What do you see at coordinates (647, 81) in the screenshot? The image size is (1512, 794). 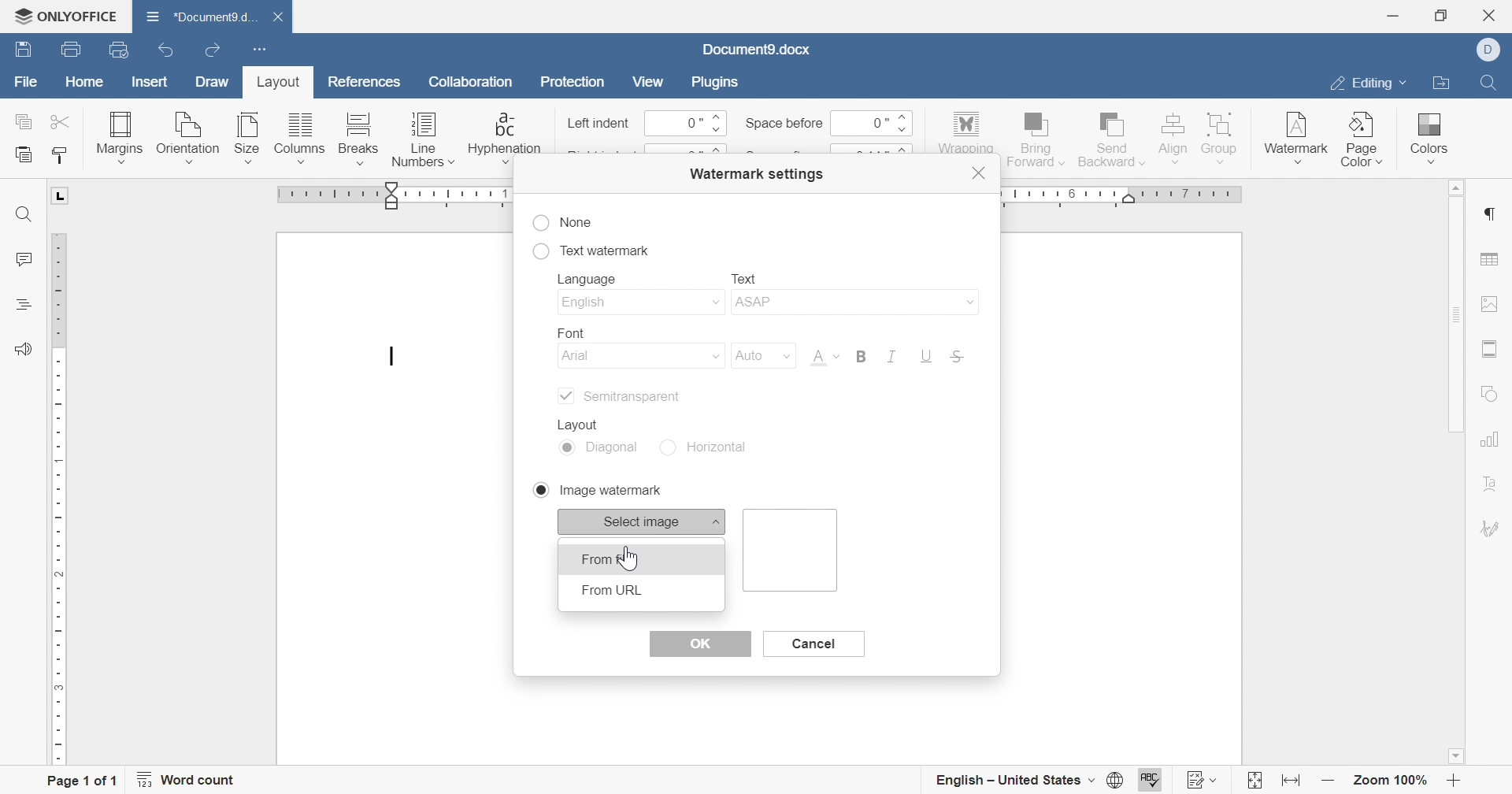 I see `view` at bounding box center [647, 81].